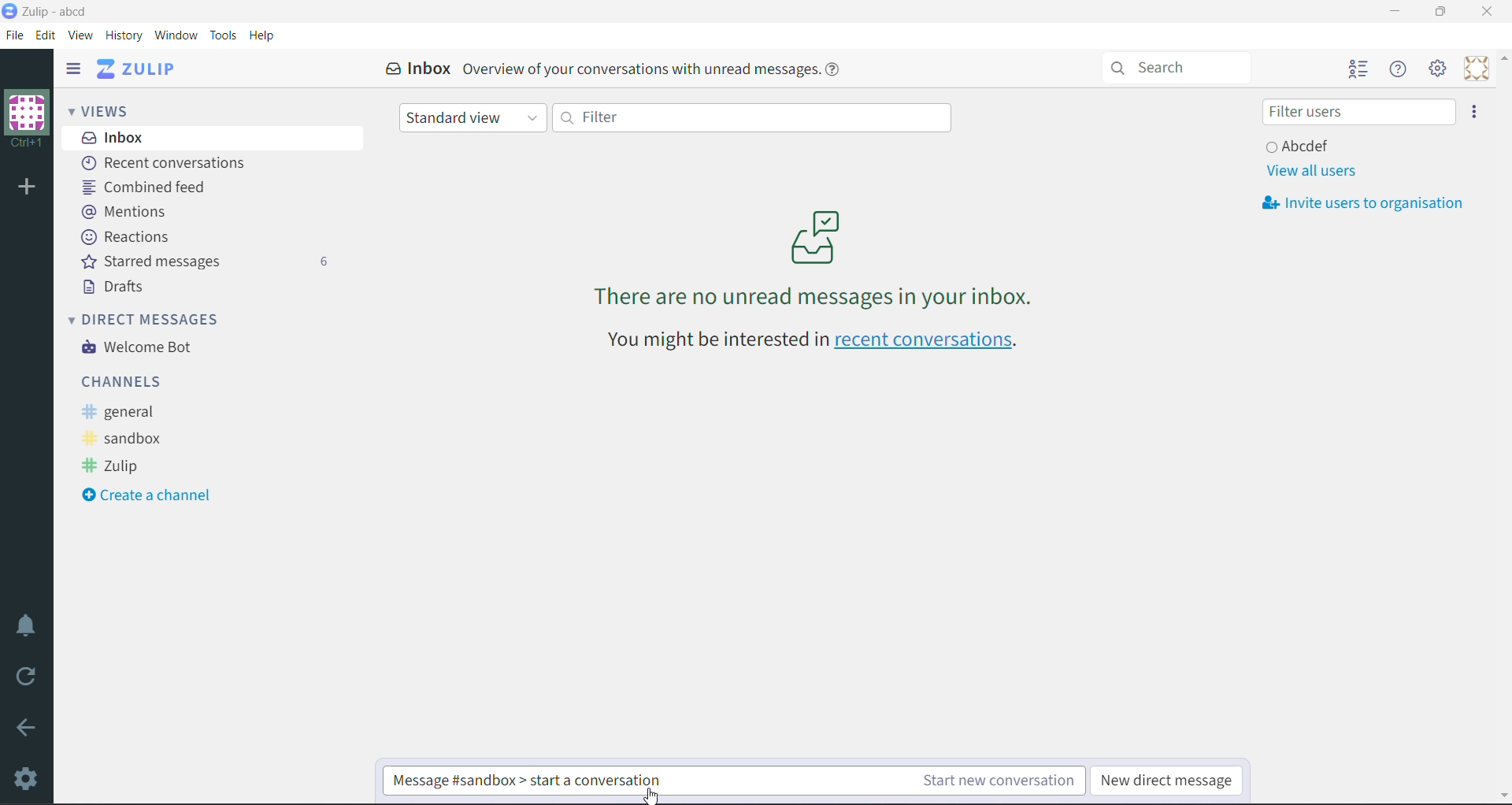  Describe the element at coordinates (125, 380) in the screenshot. I see `Channels` at that location.